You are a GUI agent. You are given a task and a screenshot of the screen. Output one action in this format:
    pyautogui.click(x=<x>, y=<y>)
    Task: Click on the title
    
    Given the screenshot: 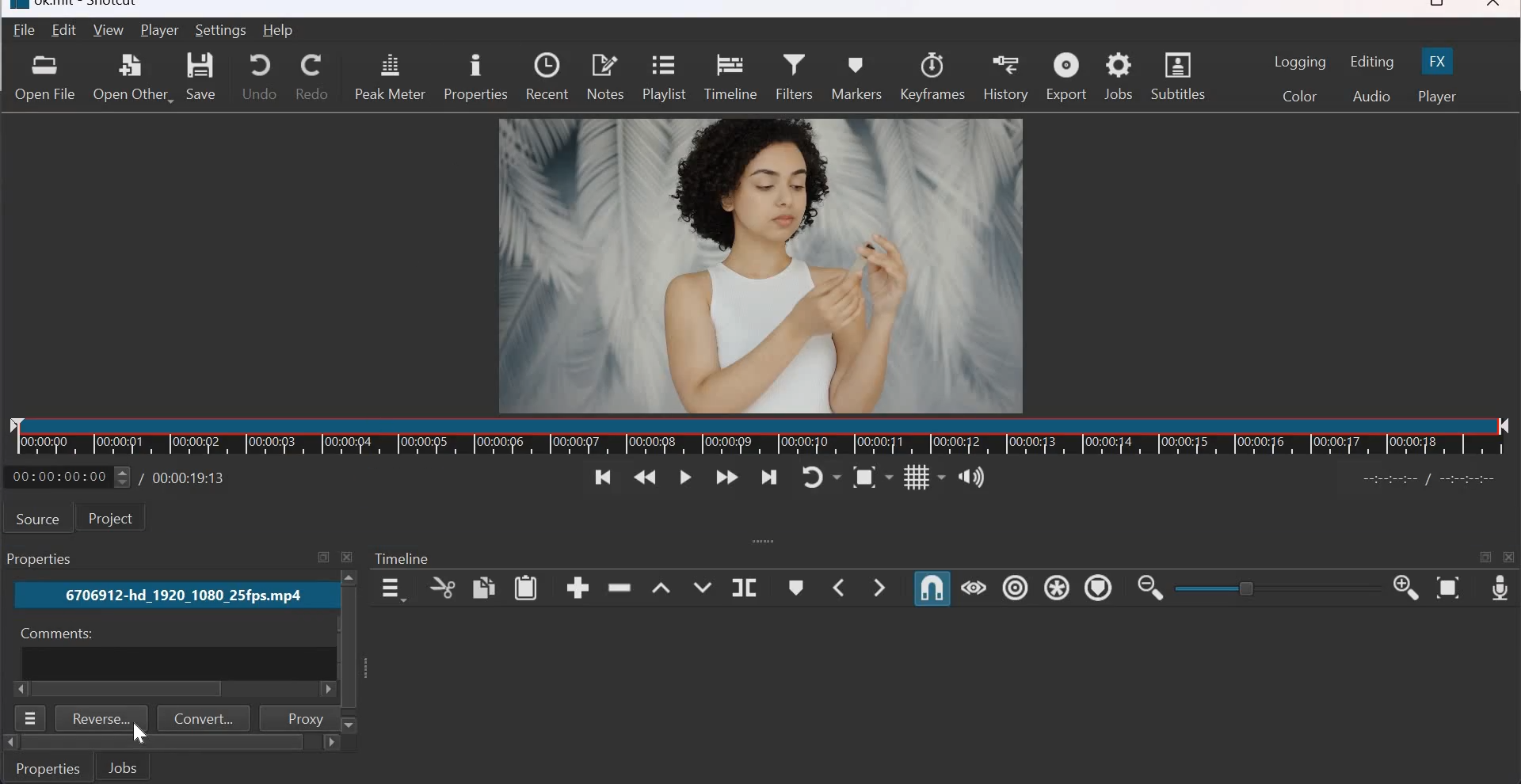 What is the action you would take?
    pyautogui.click(x=91, y=6)
    